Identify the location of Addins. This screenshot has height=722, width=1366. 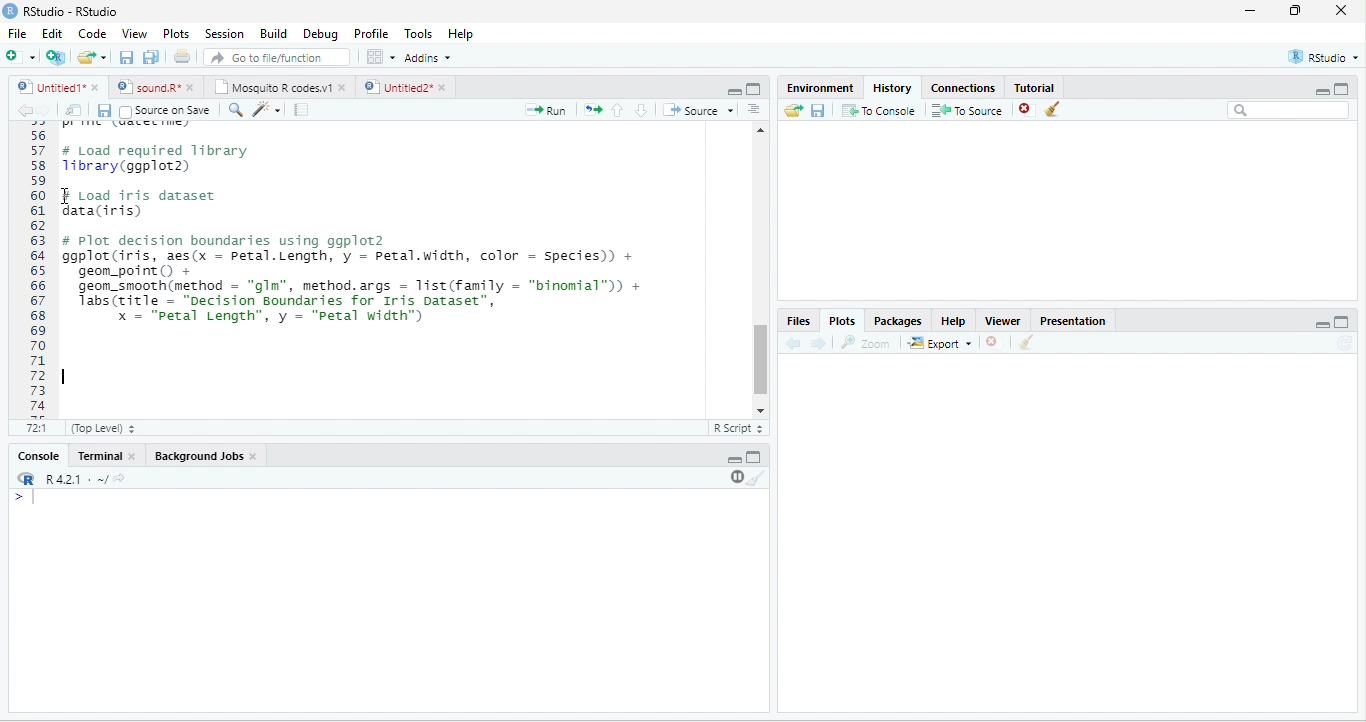
(428, 58).